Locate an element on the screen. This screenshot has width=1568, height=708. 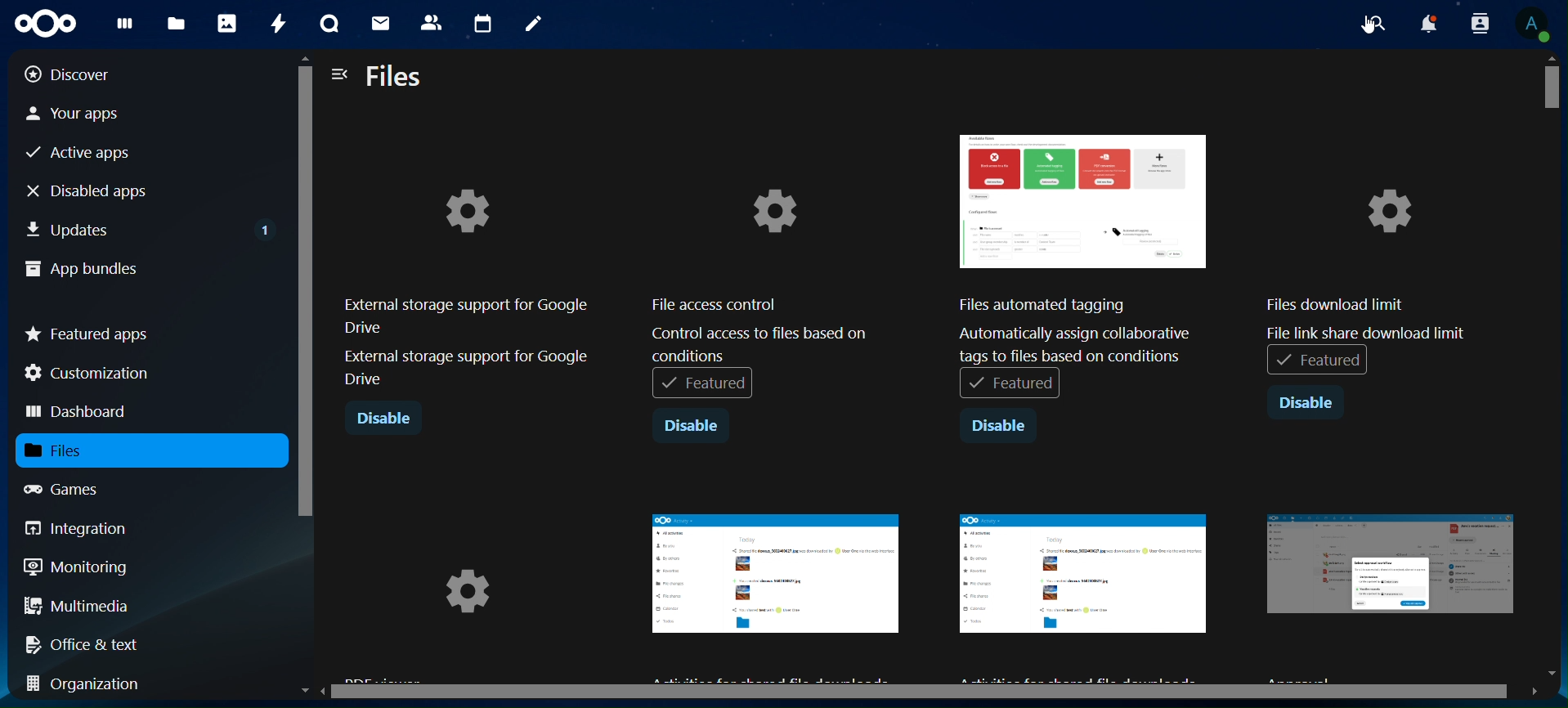
scrollbar is located at coordinates (1557, 364).